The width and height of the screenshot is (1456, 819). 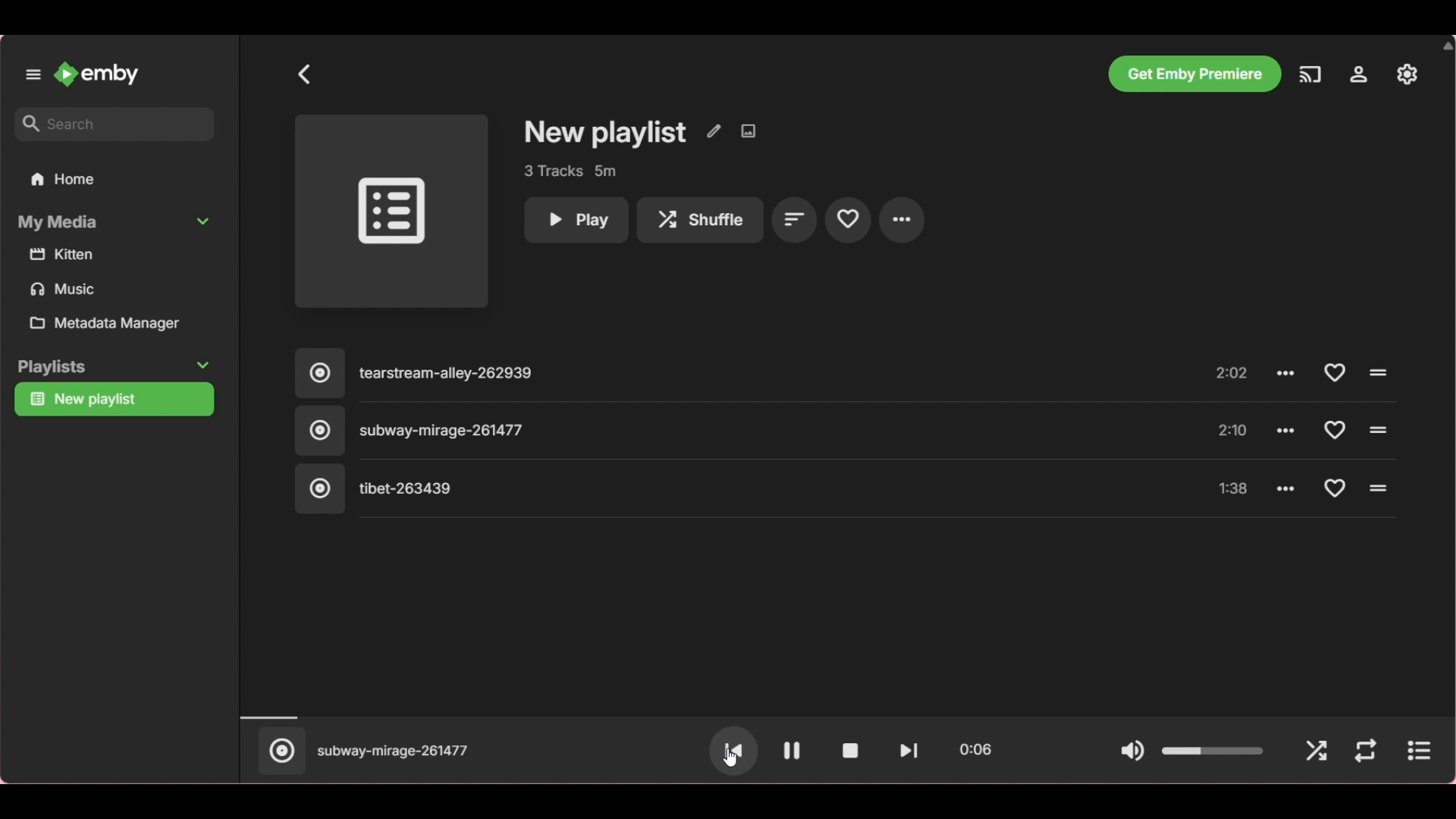 I want to click on Play button changed to pause button after playing current selection, so click(x=792, y=751).